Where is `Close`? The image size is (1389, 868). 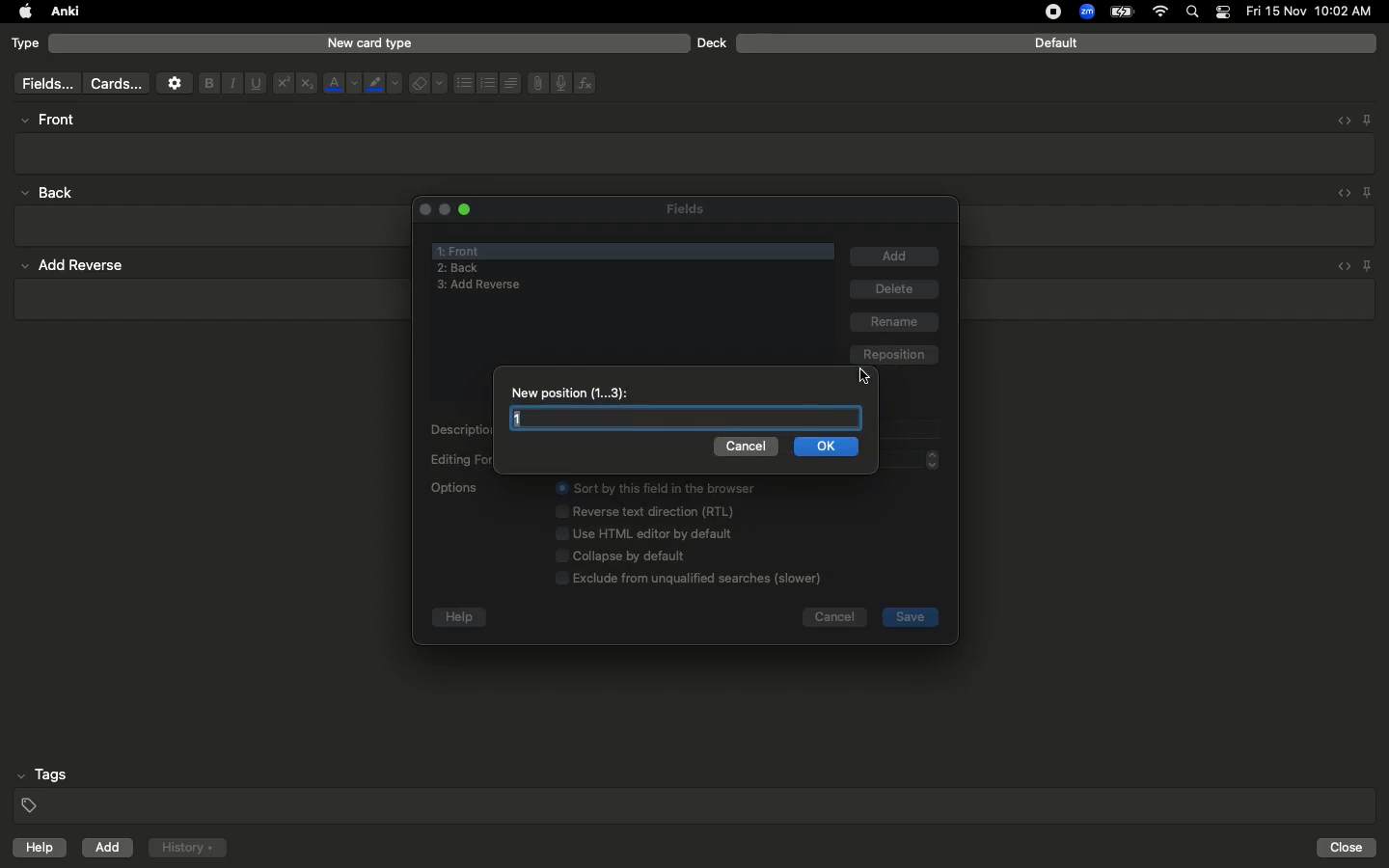
Close is located at coordinates (422, 208).